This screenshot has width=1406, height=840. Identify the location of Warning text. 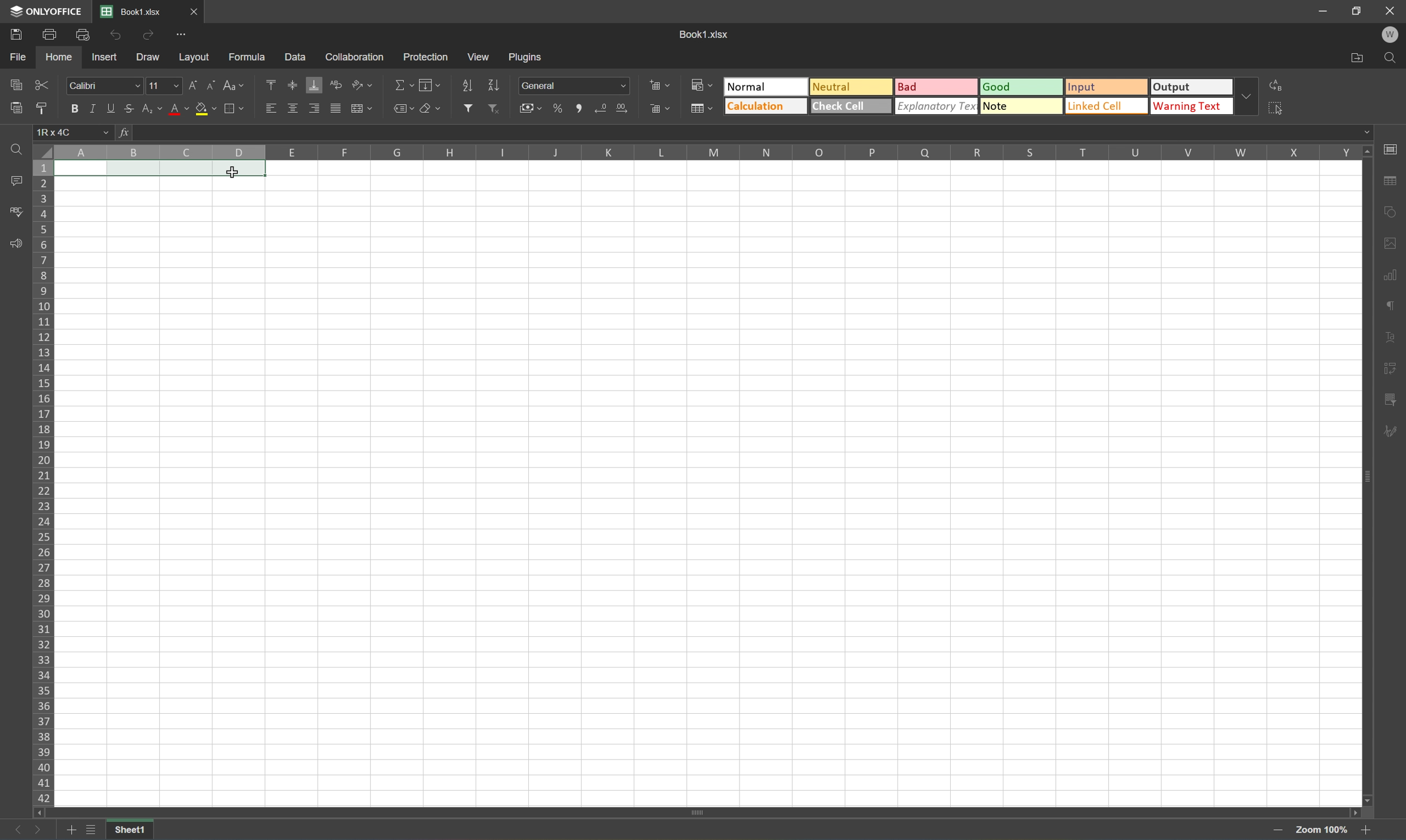
(1195, 106).